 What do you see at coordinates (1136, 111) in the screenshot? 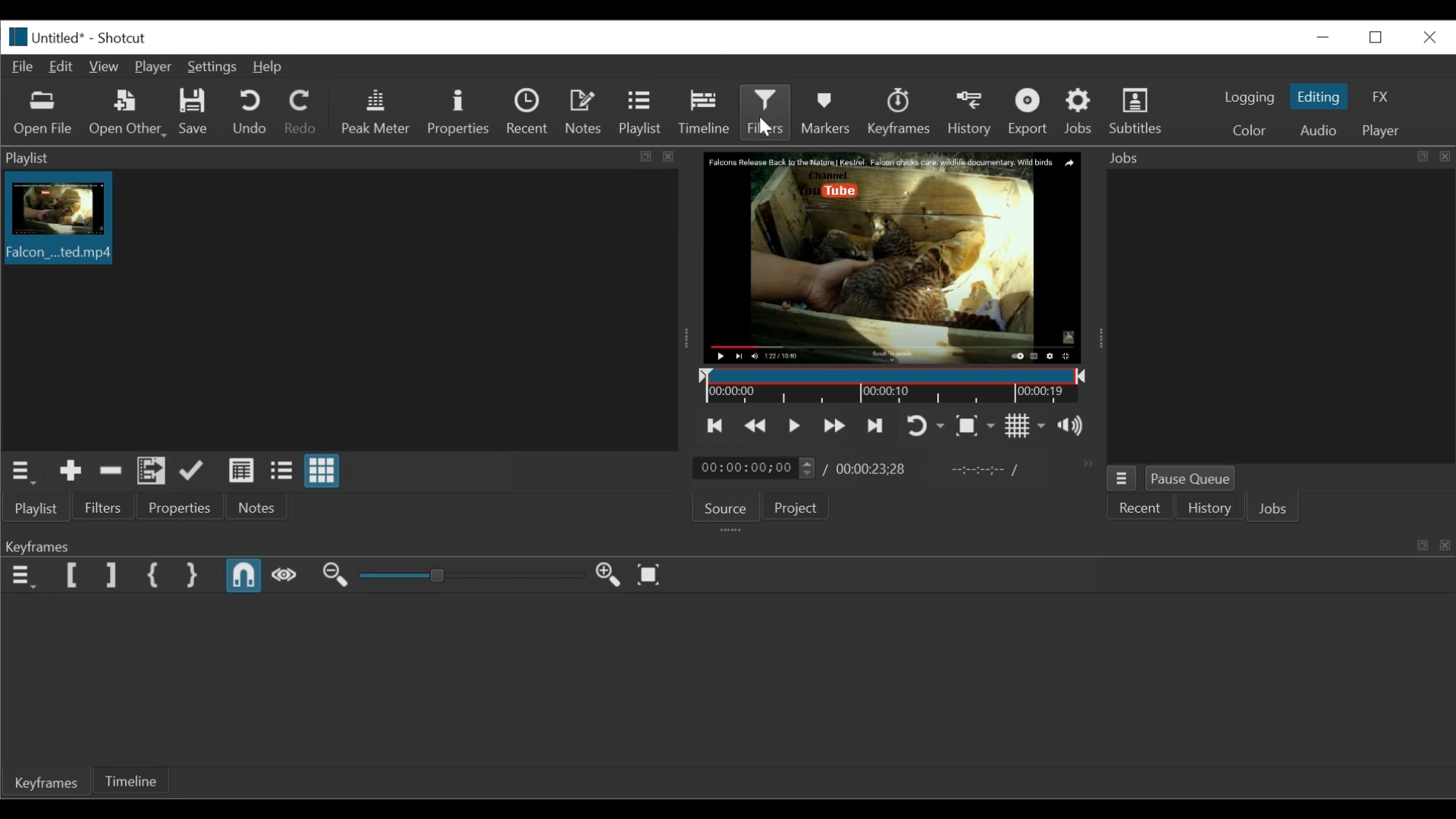
I see `Subtitles` at bounding box center [1136, 111].